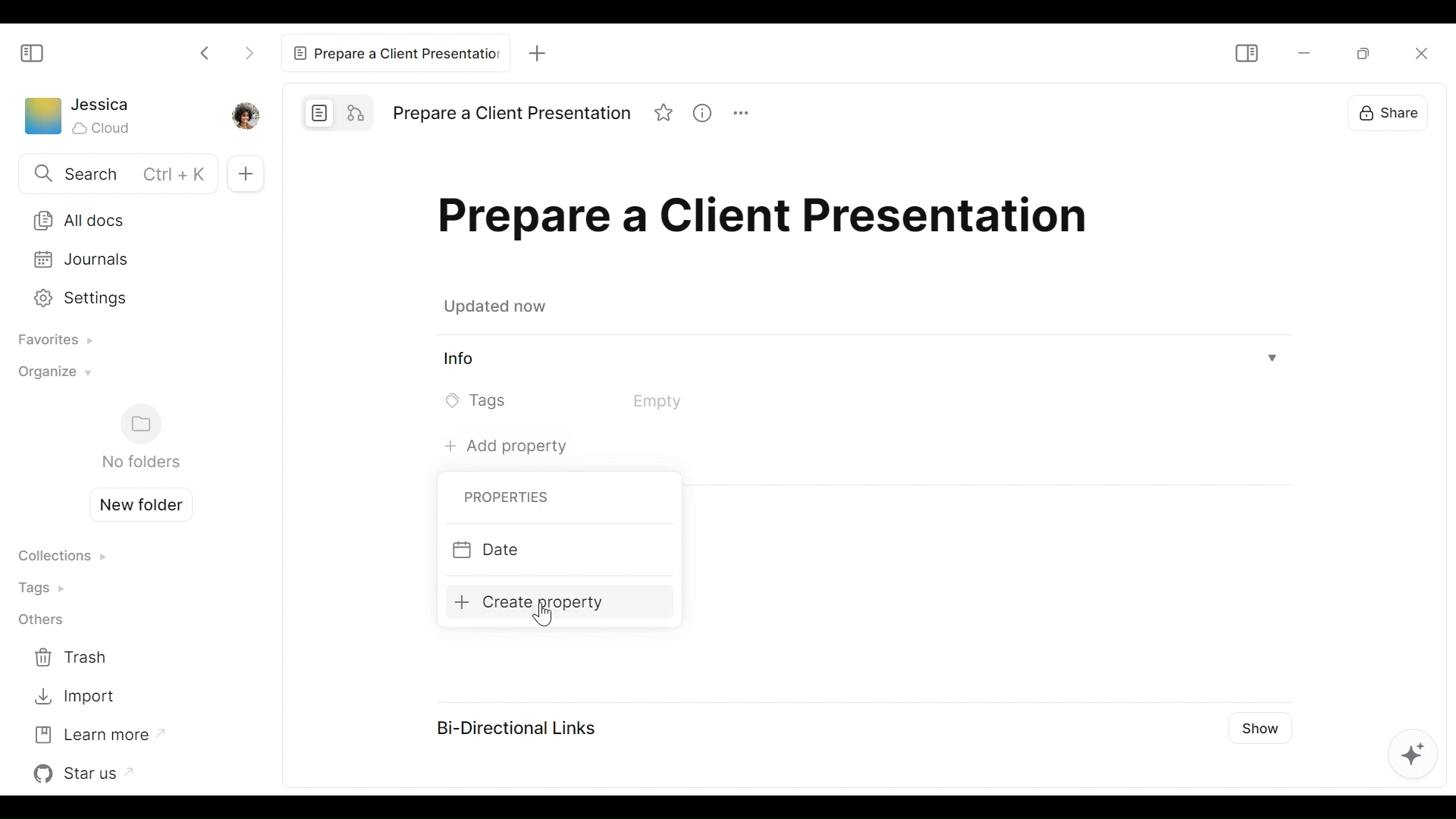 The image size is (1456, 819). I want to click on Settings, so click(127, 296).